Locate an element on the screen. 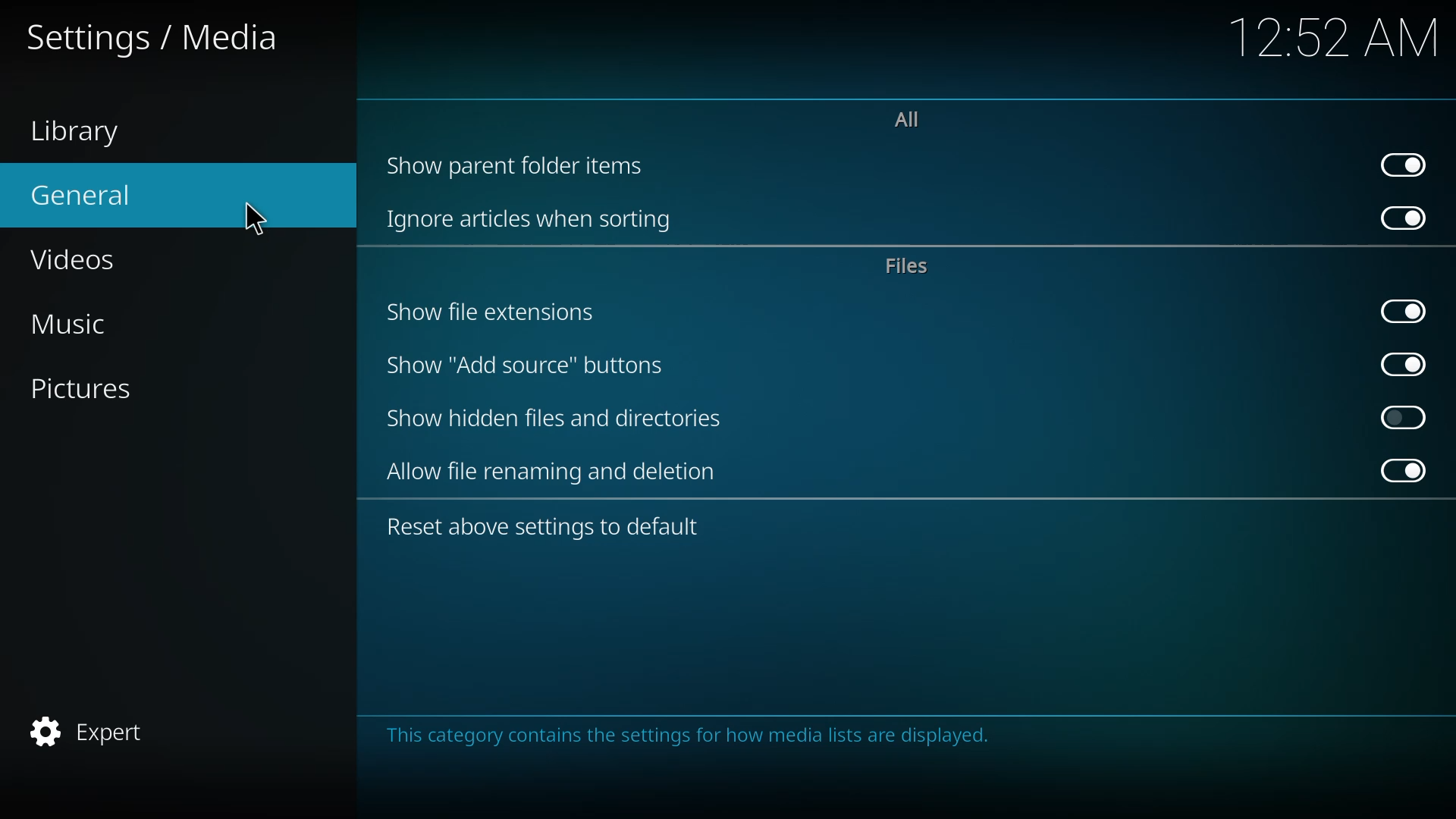 This screenshot has height=819, width=1456. enabled is located at coordinates (1404, 165).